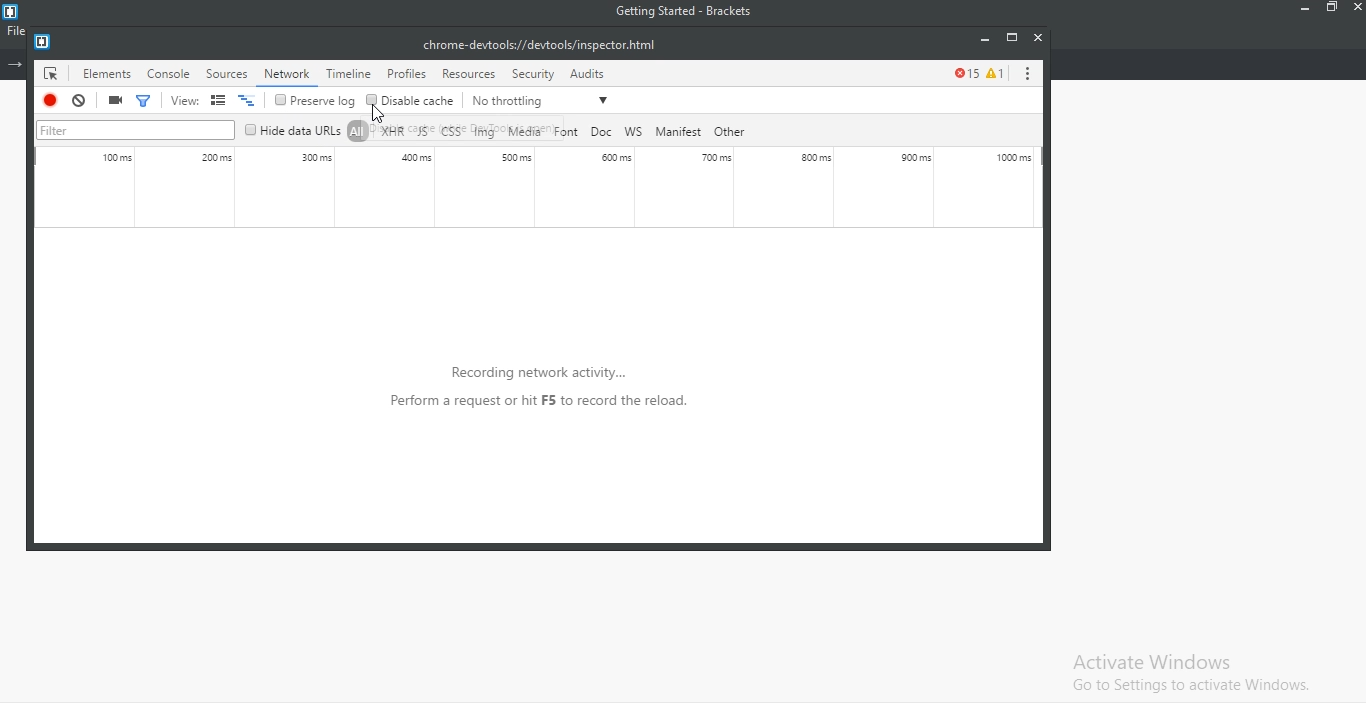  I want to click on error tracker, so click(978, 72).